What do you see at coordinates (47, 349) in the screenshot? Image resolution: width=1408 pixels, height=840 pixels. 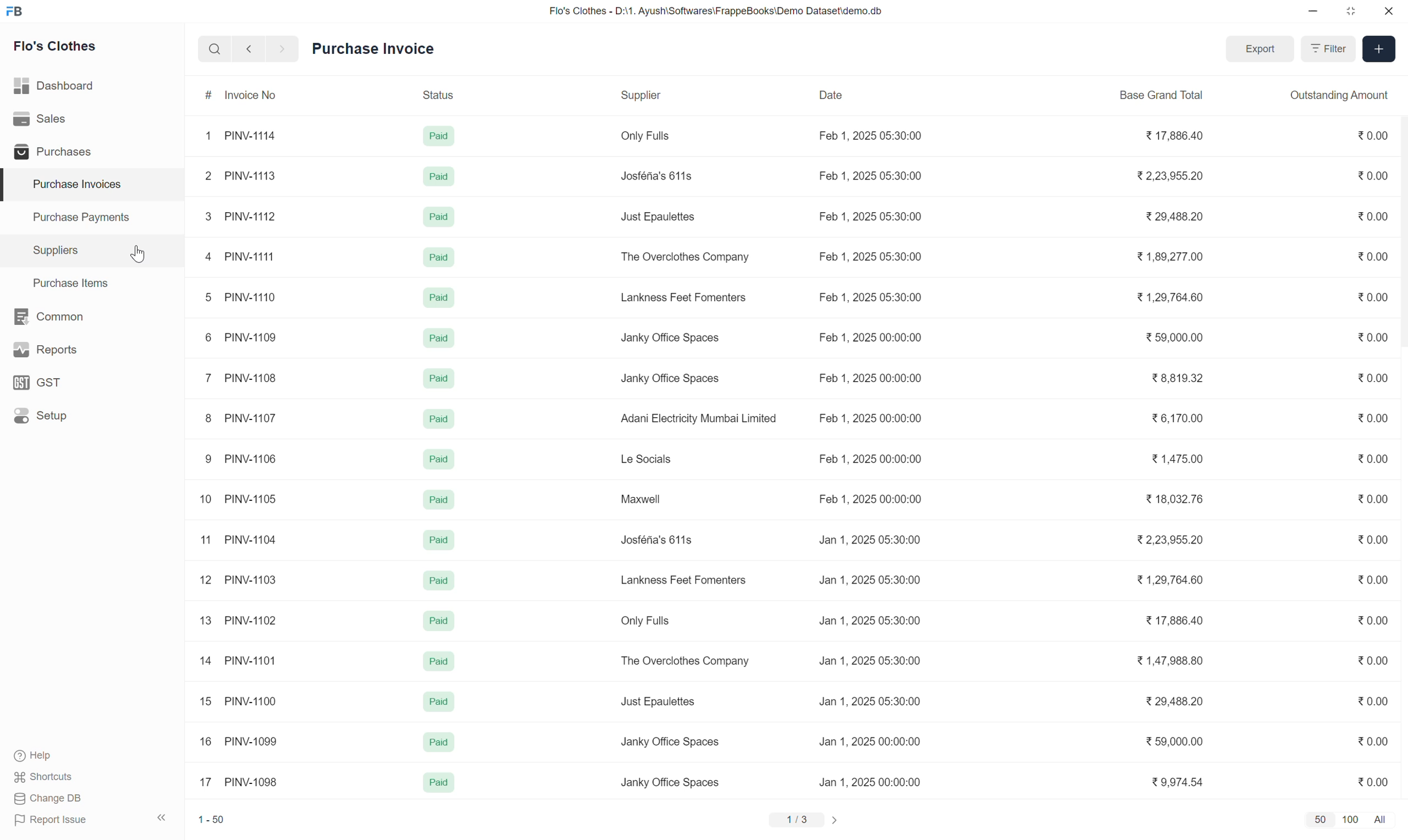 I see `Reports` at bounding box center [47, 349].